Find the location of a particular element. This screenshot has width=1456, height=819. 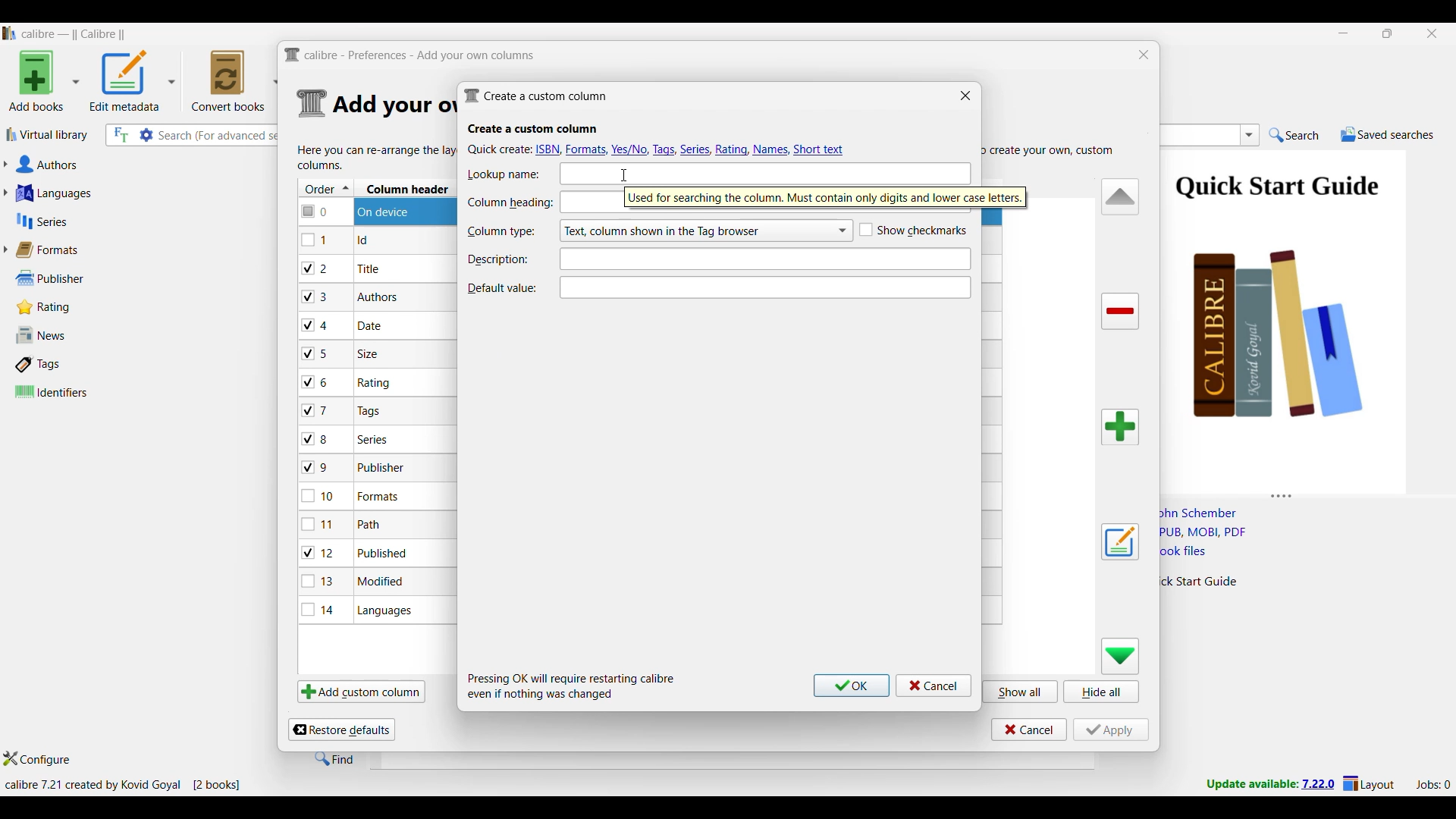

Current jobs is located at coordinates (1432, 785).